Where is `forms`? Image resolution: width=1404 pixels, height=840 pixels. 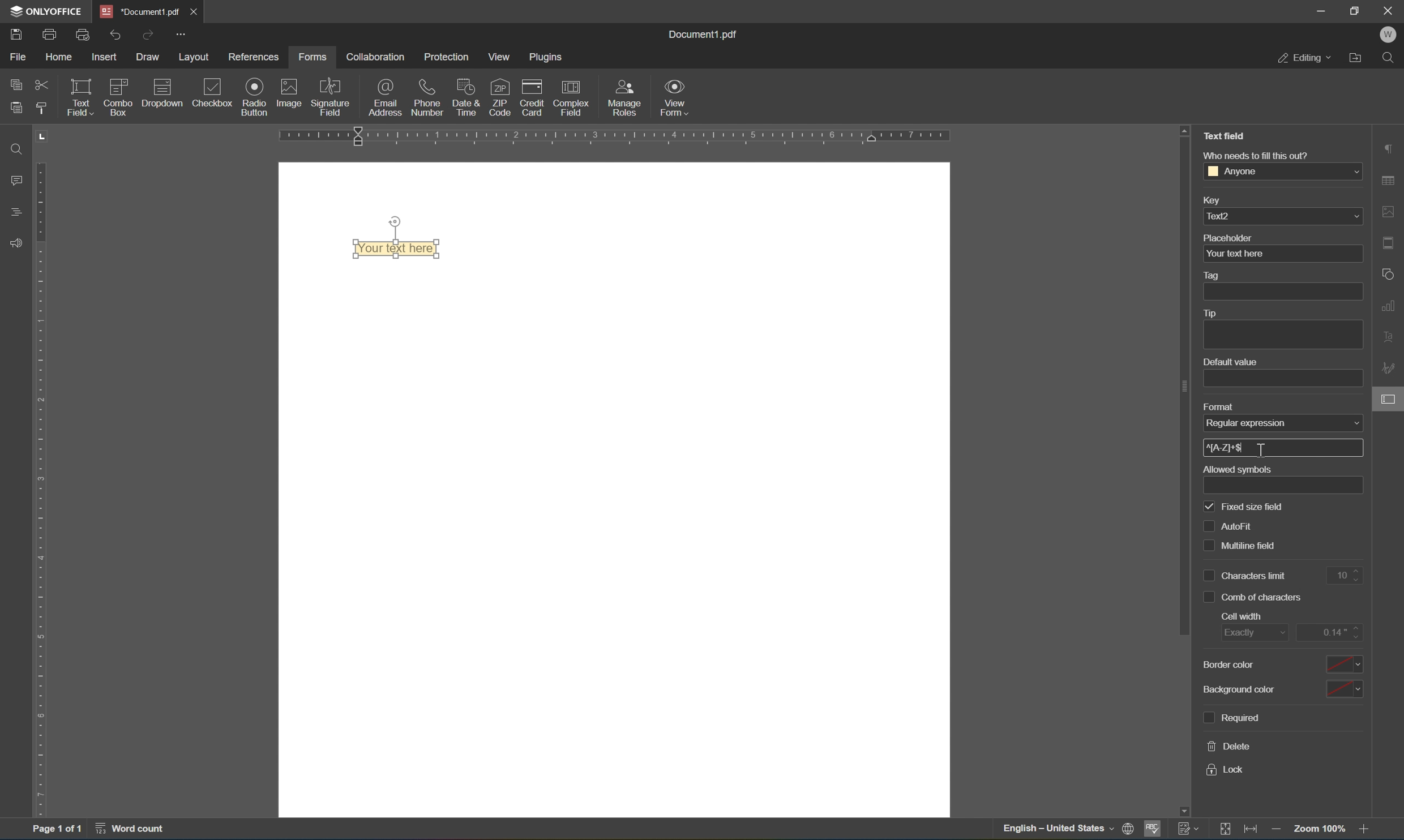 forms is located at coordinates (311, 58).